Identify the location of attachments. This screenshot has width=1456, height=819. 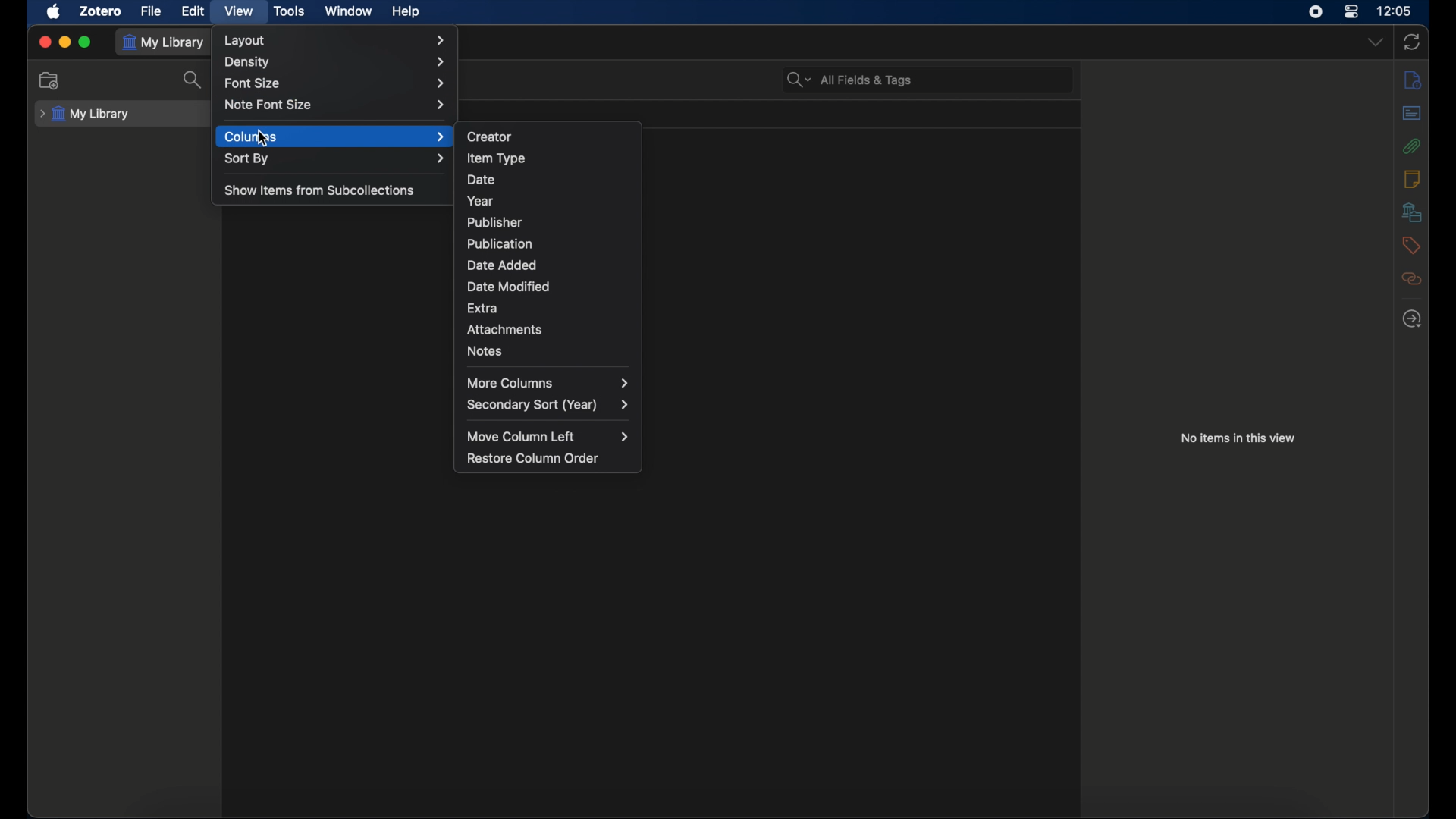
(1411, 146).